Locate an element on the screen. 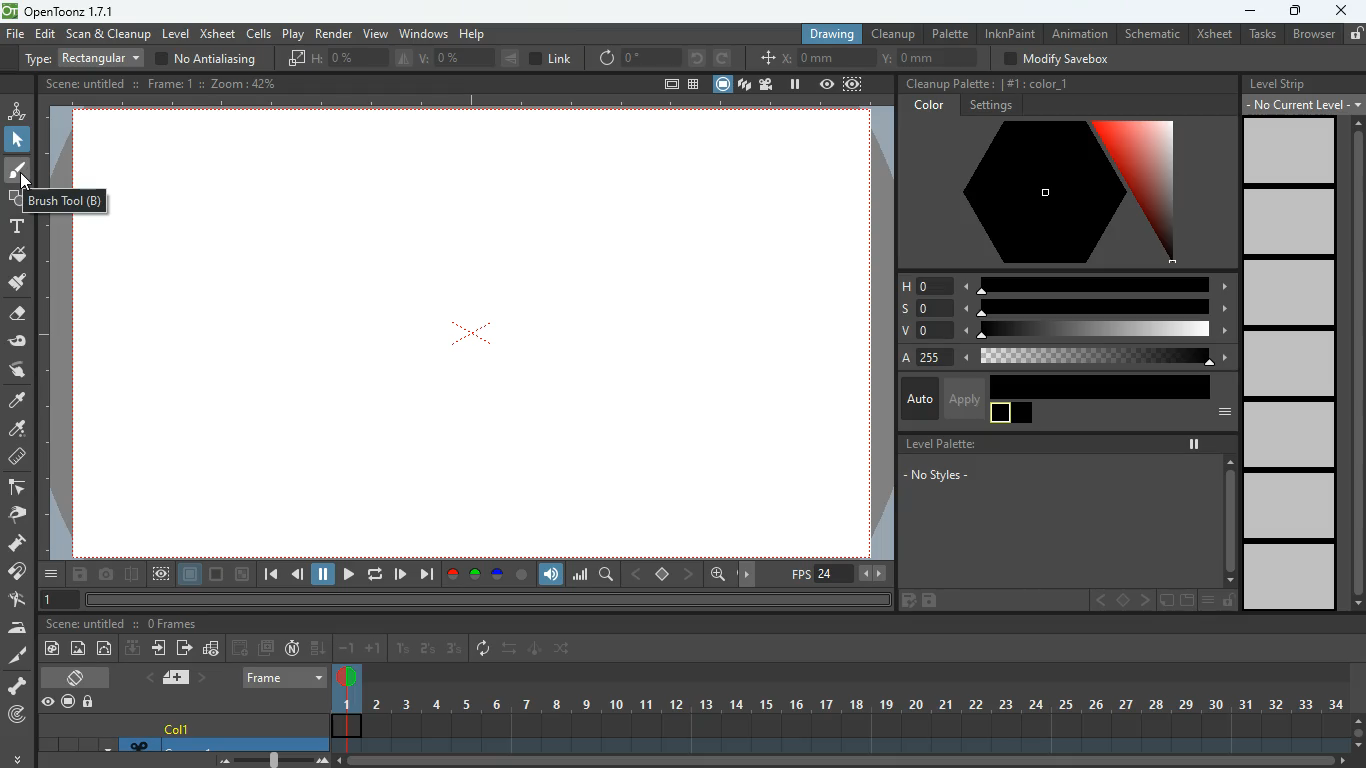 This screenshot has height=768, width=1366. pause is located at coordinates (324, 575).